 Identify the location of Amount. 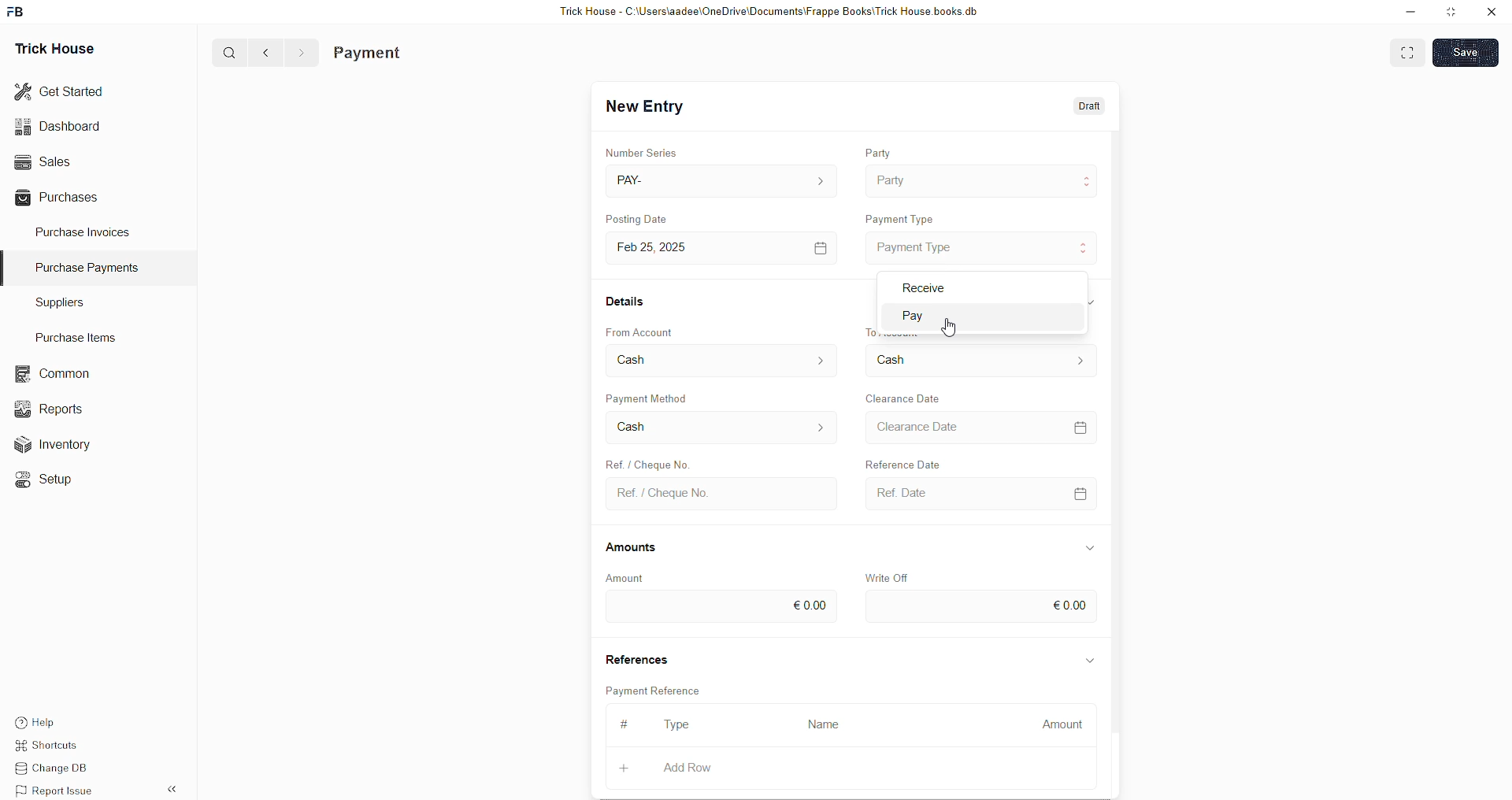
(1062, 720).